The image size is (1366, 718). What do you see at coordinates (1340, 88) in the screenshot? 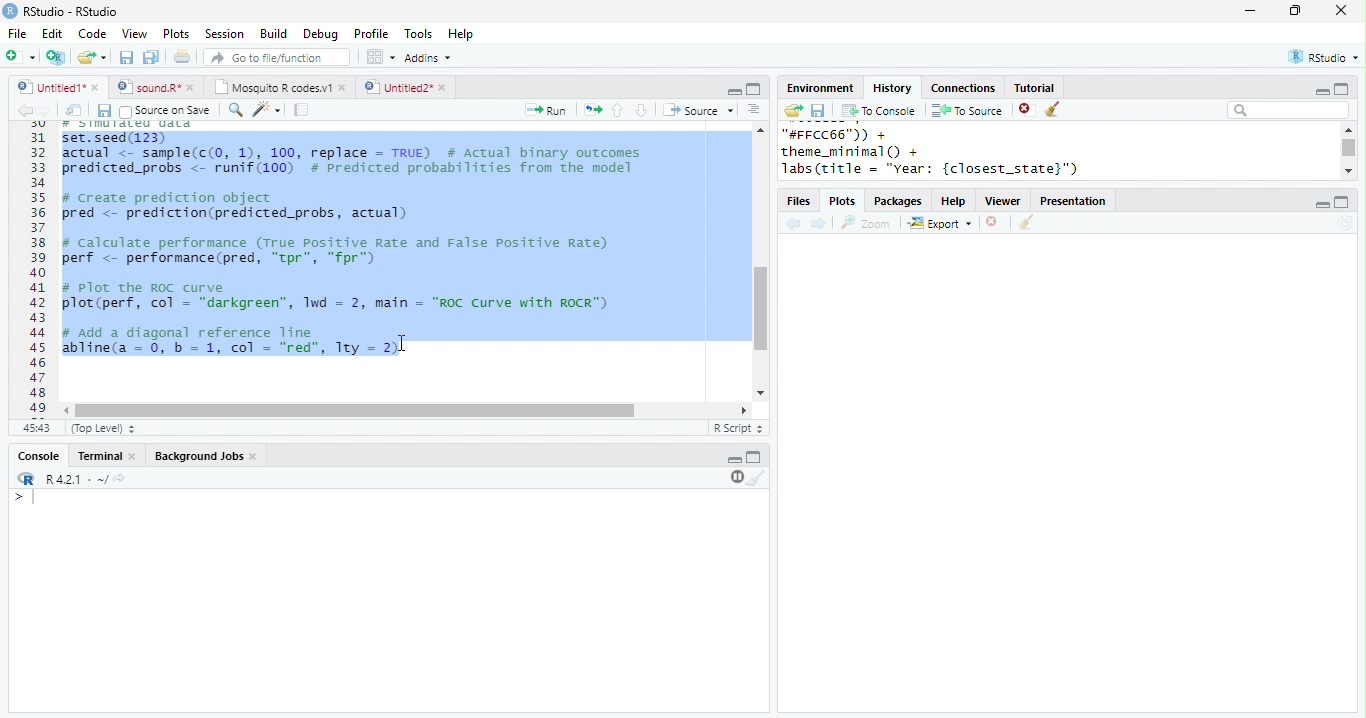
I see `maximize` at bounding box center [1340, 88].